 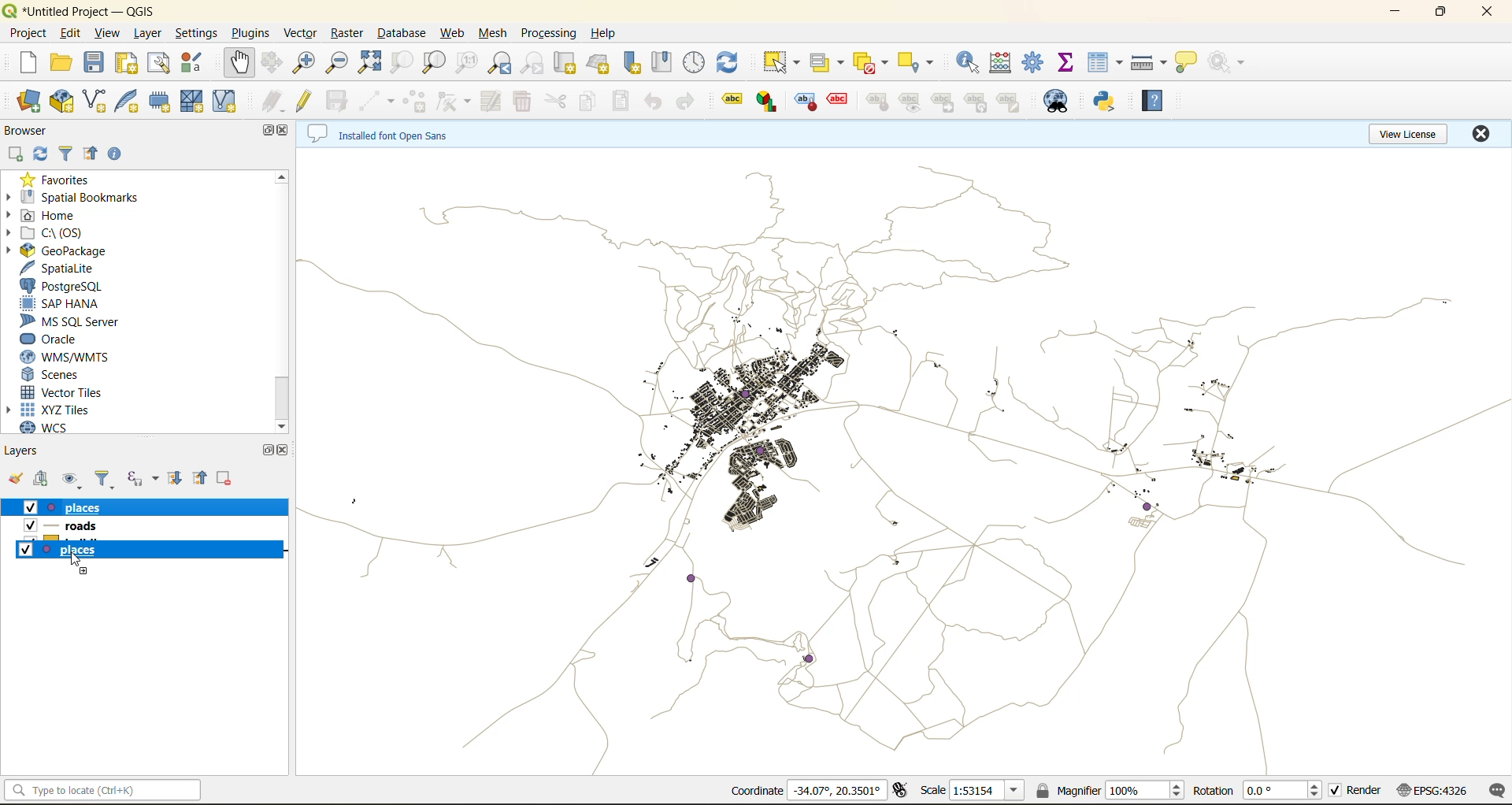 I want to click on new shapefile, so click(x=98, y=102).